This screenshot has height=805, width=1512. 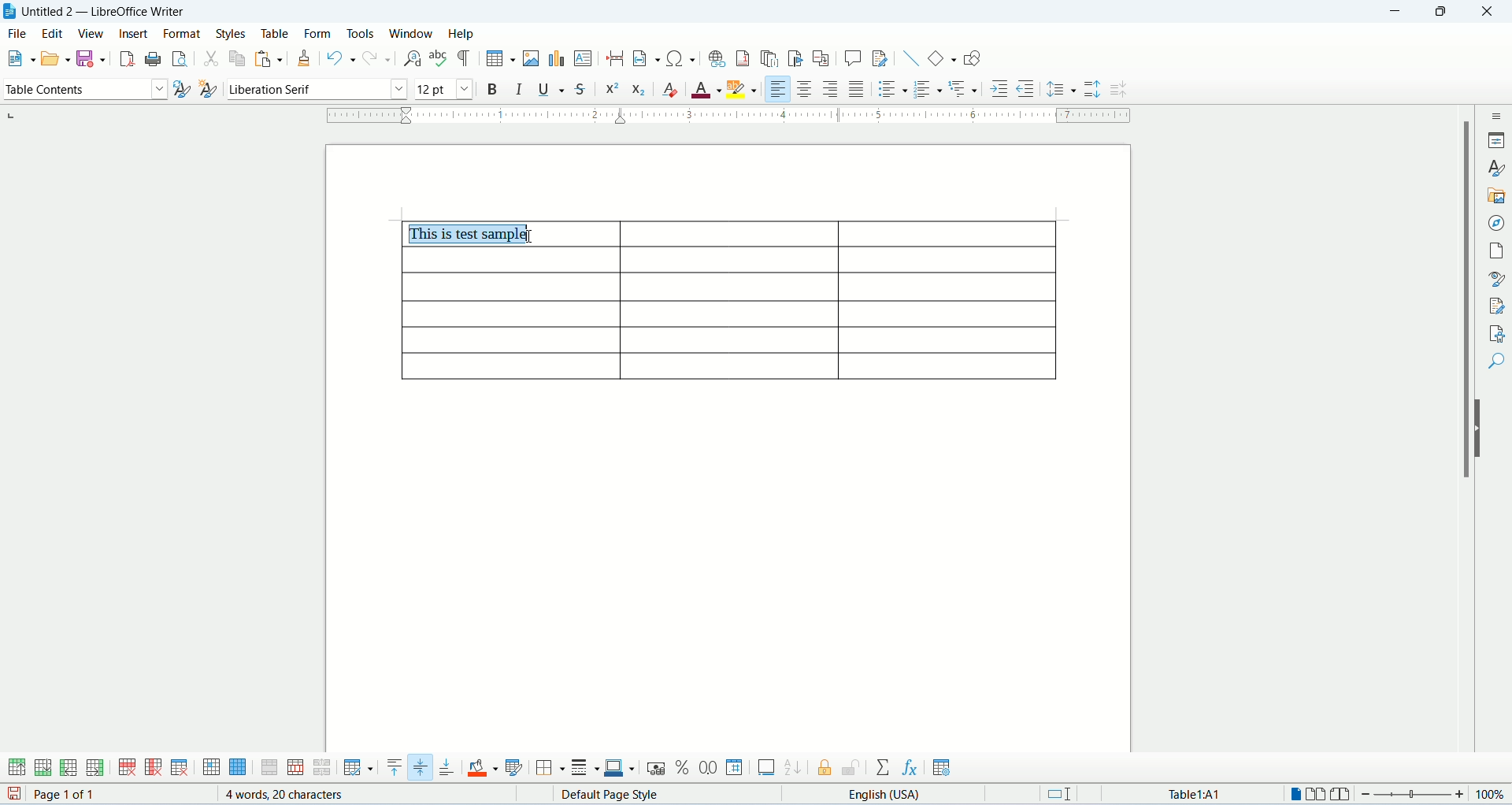 What do you see at coordinates (1293, 794) in the screenshot?
I see `one page view` at bounding box center [1293, 794].